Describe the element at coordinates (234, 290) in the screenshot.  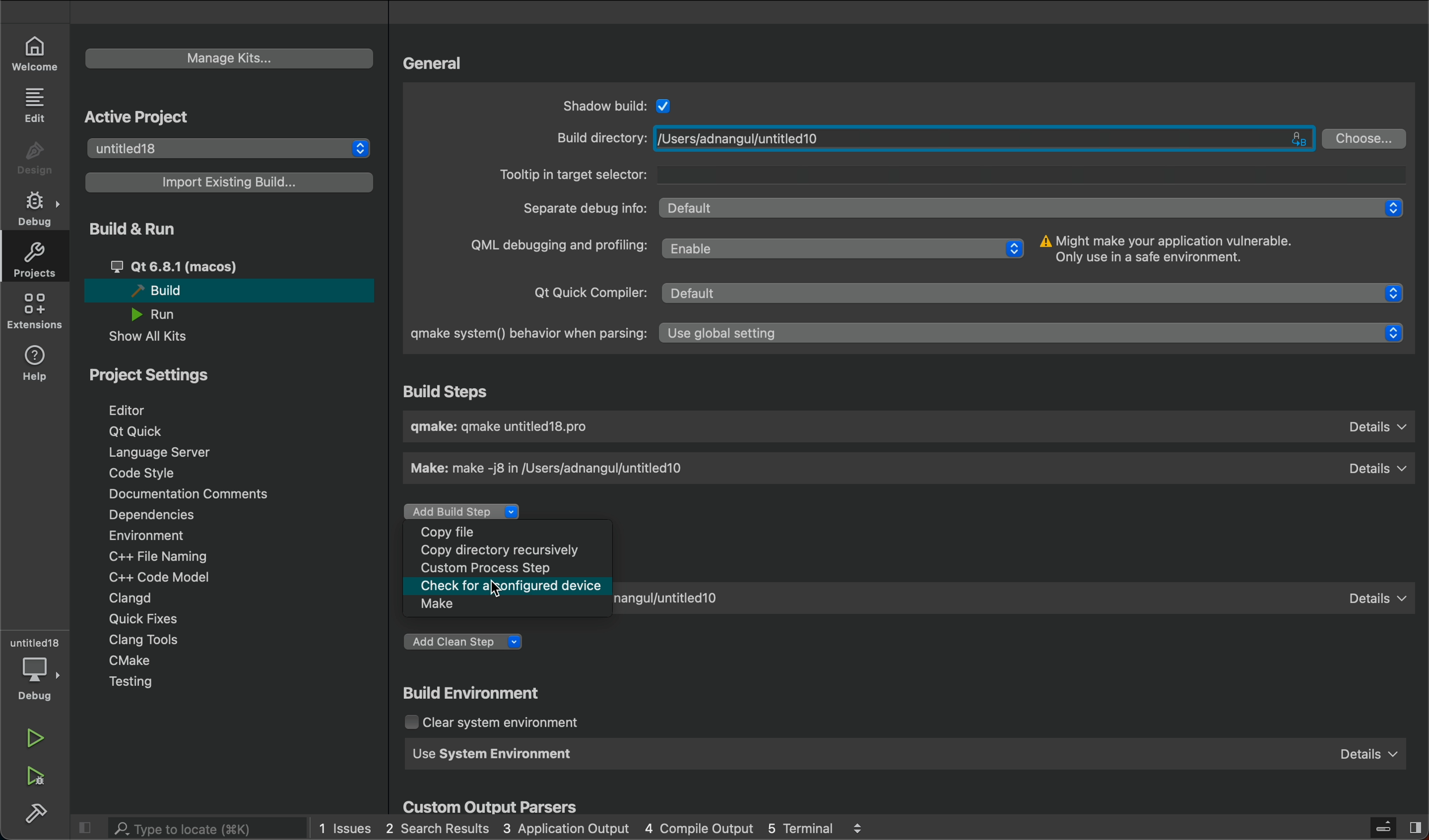
I see `build` at that location.